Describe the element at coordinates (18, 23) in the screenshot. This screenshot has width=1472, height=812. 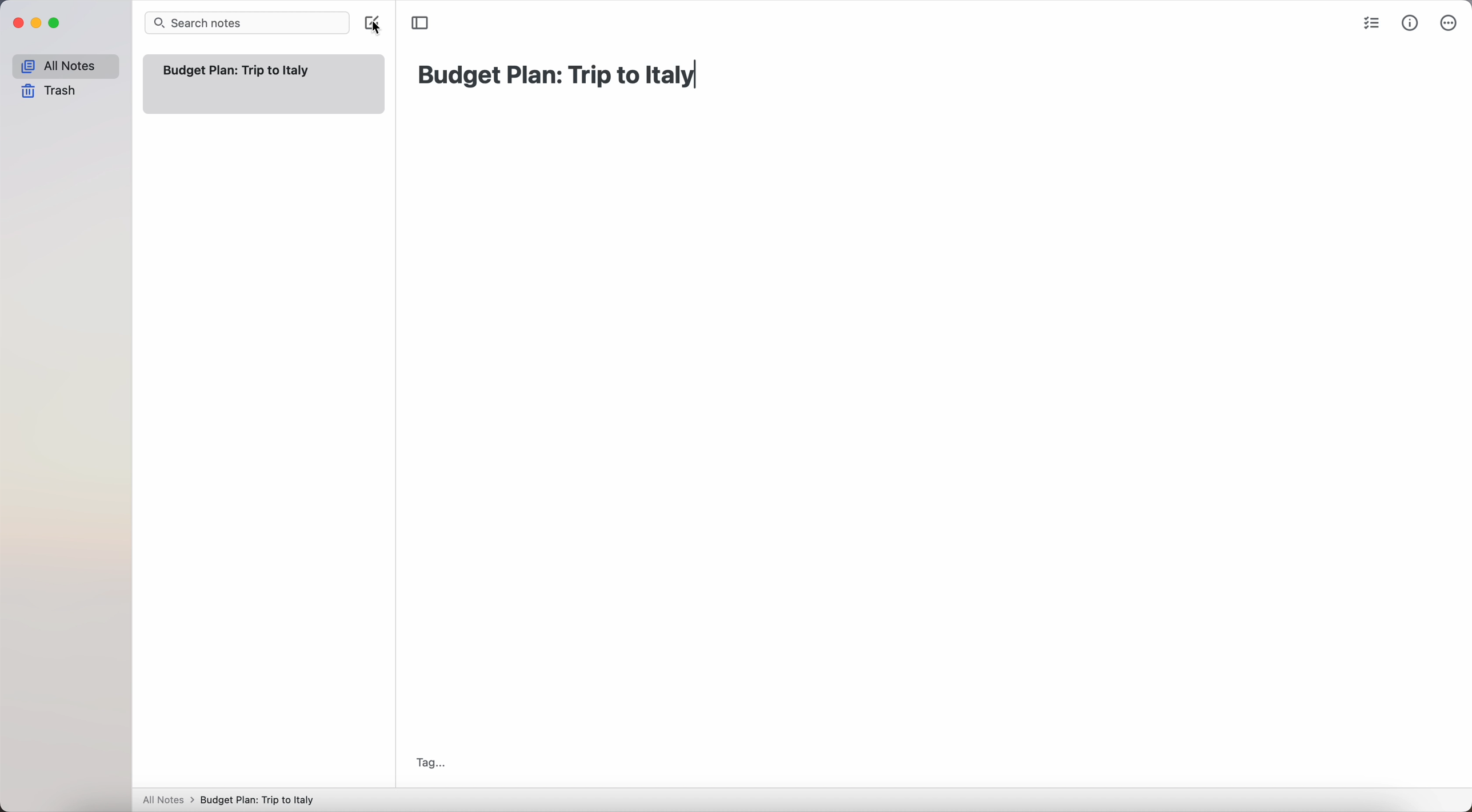
I see `close Simplenote` at that location.